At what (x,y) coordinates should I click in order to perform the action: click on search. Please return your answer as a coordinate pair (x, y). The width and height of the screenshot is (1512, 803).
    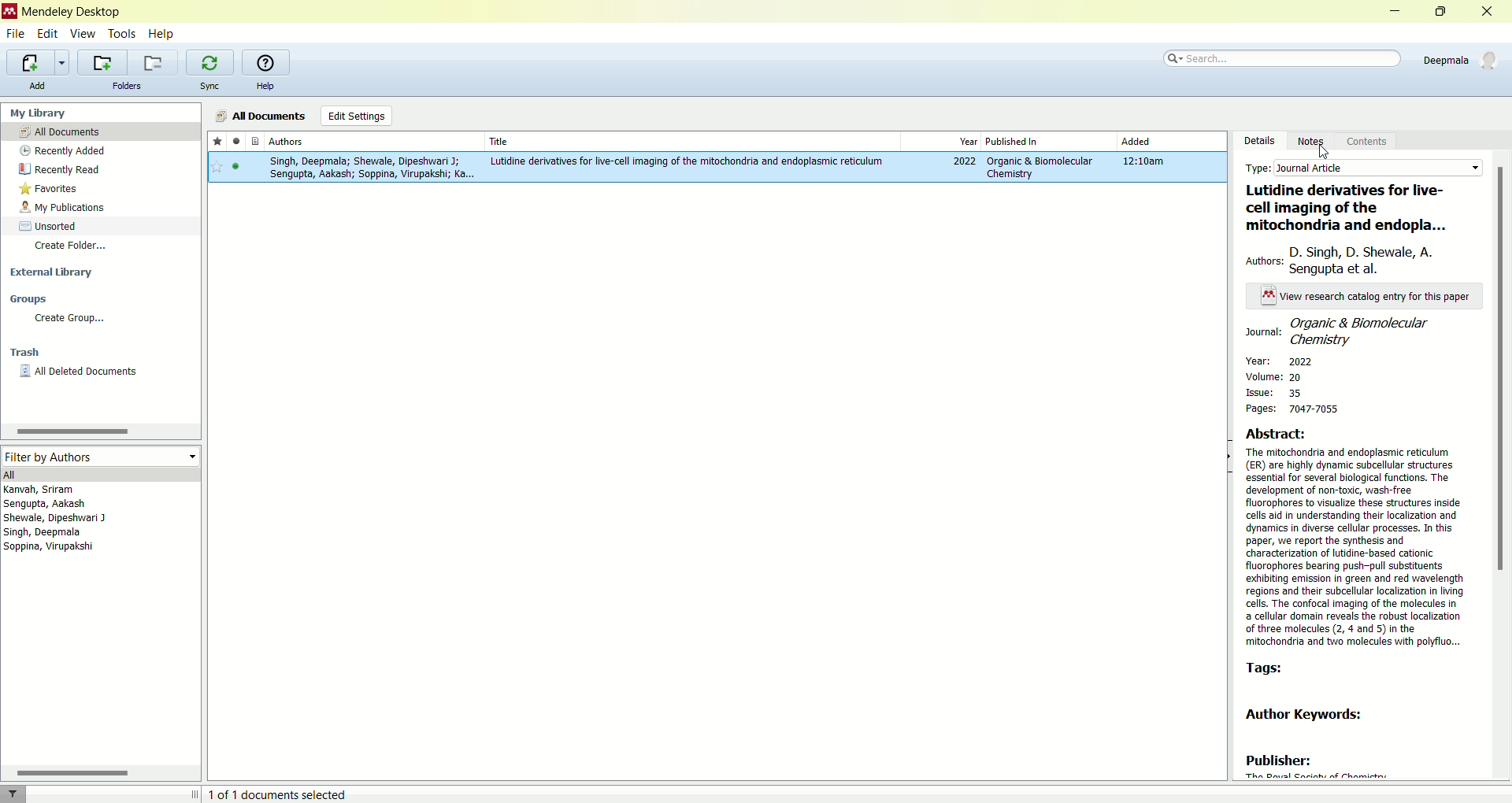
    Looking at the image, I should click on (1284, 56).